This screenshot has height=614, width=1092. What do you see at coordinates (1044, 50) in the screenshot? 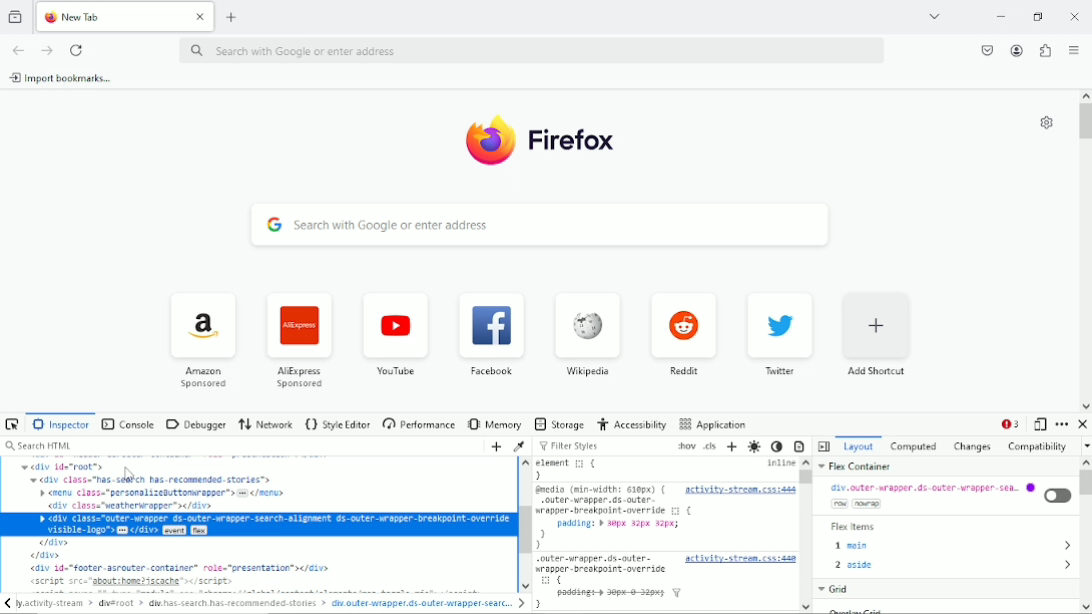
I see `extensions` at bounding box center [1044, 50].